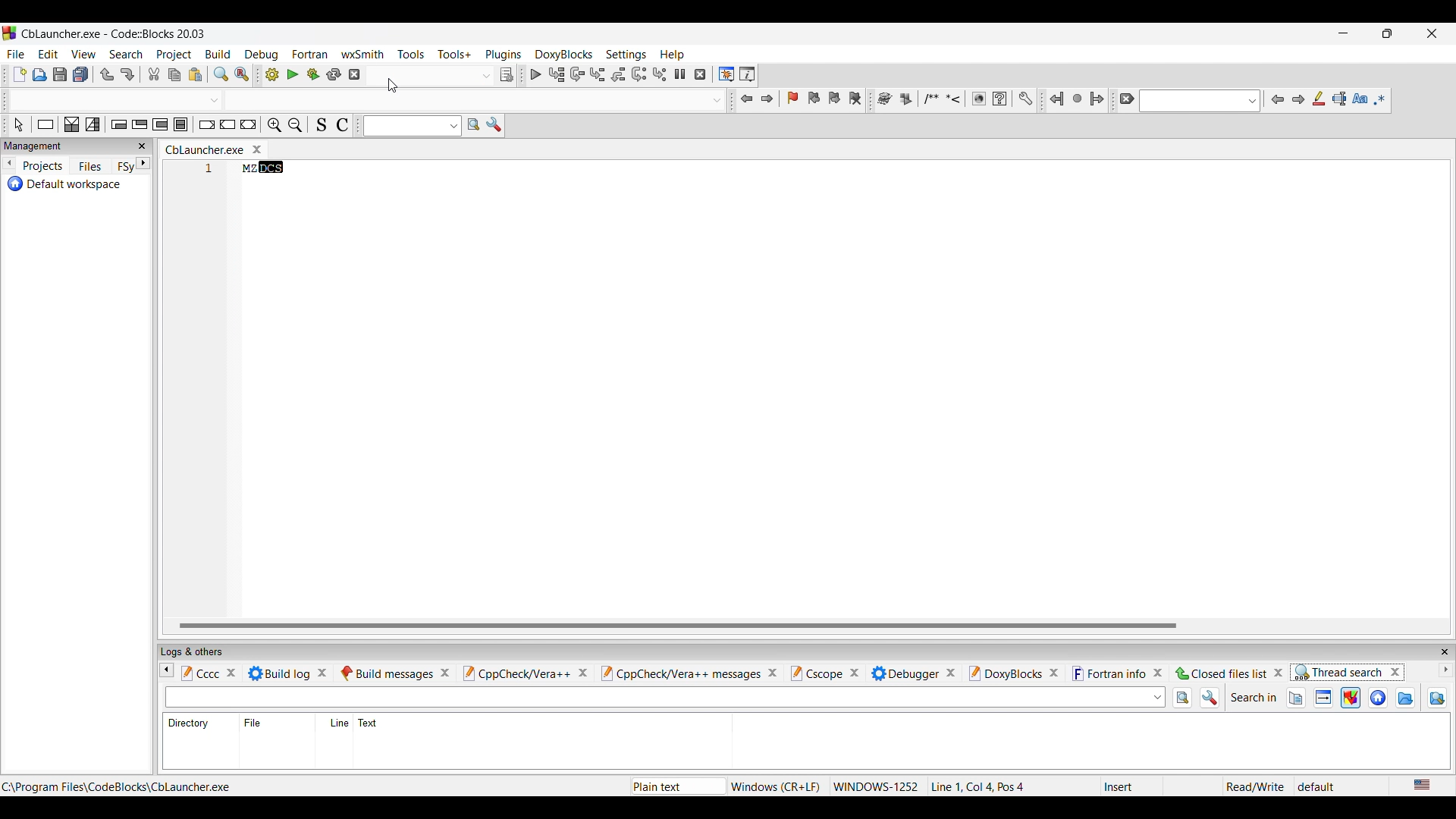 This screenshot has height=819, width=1456. What do you see at coordinates (272, 74) in the screenshot?
I see `Build` at bounding box center [272, 74].